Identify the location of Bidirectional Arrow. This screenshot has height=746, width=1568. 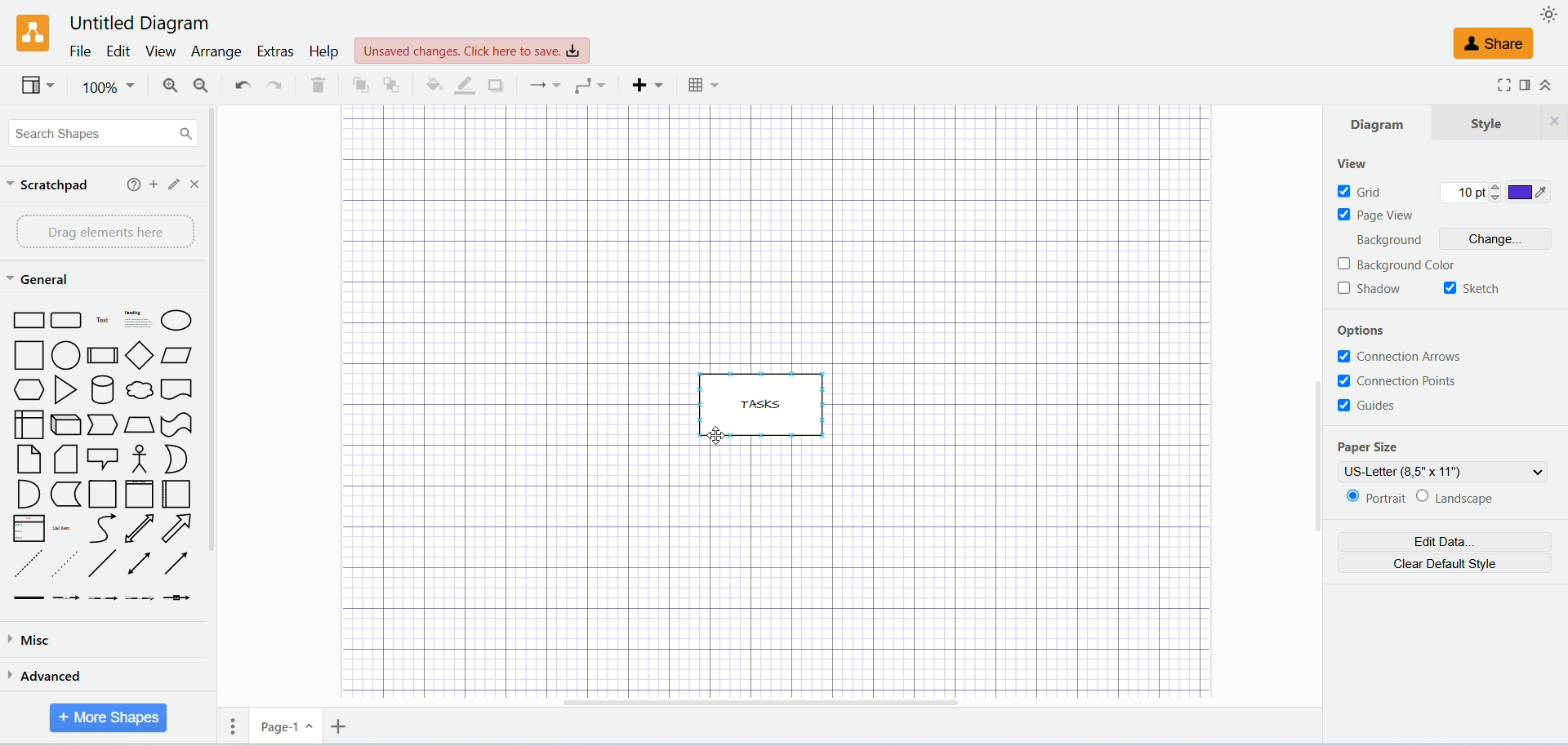
(139, 528).